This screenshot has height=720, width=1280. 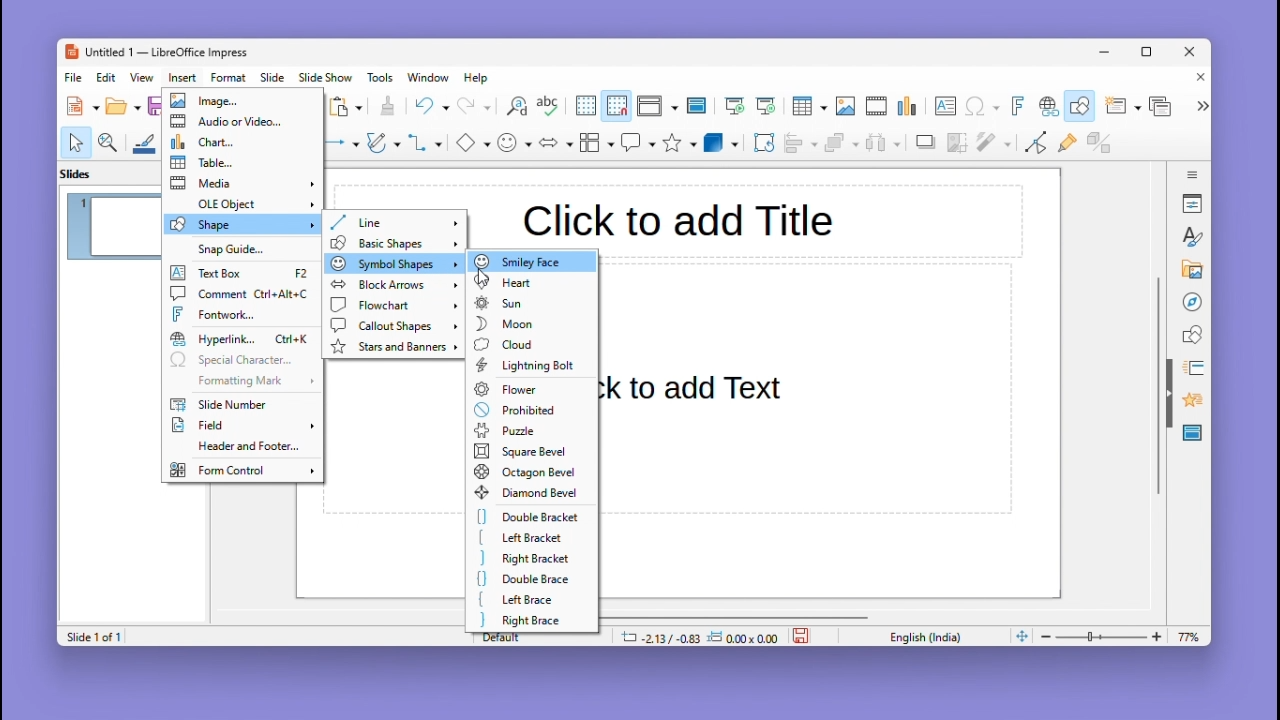 I want to click on Star, so click(x=680, y=143).